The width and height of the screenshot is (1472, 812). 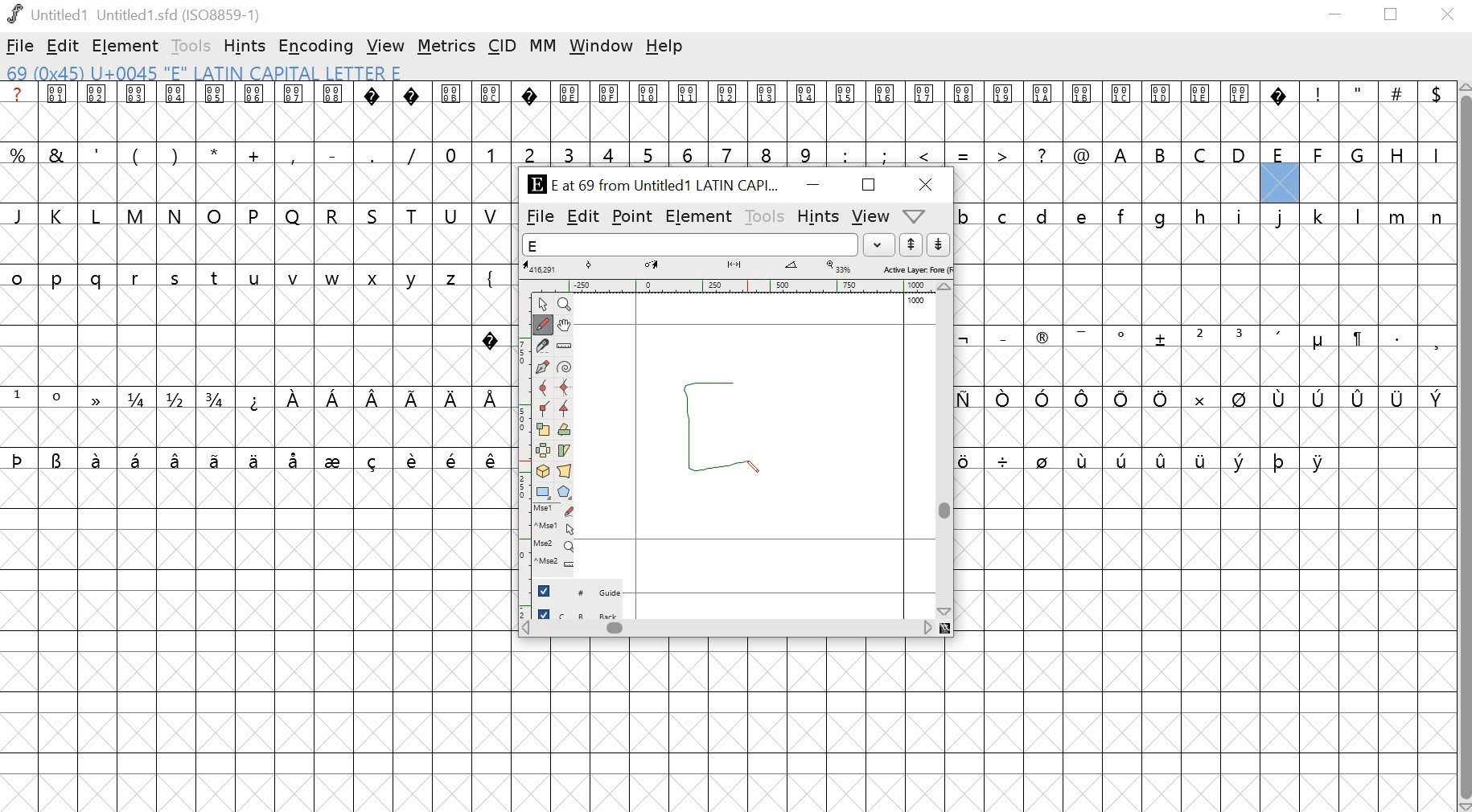 What do you see at coordinates (1203, 214) in the screenshot?
I see `lowercase alphabets` at bounding box center [1203, 214].